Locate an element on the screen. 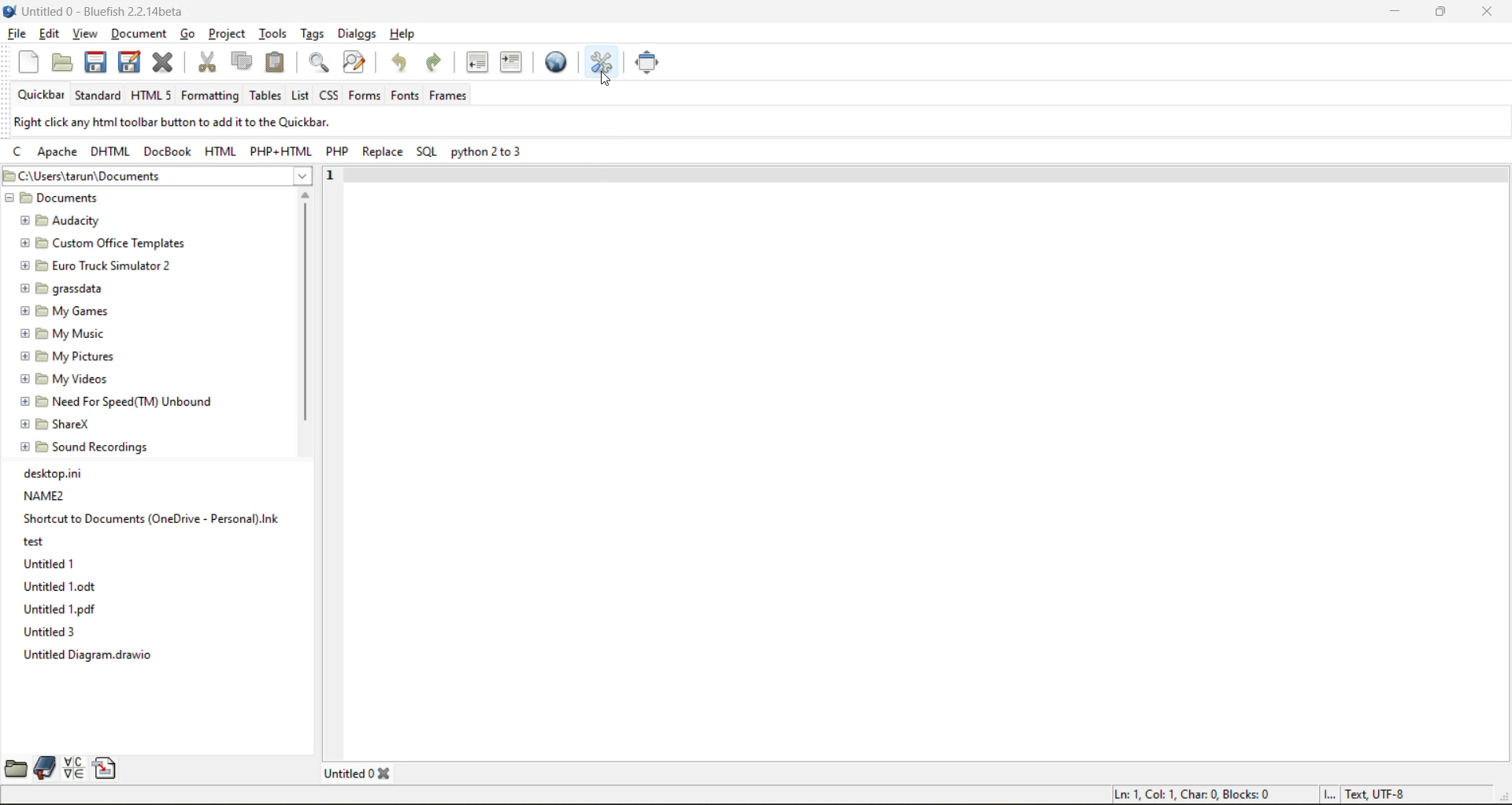  help is located at coordinates (402, 33).